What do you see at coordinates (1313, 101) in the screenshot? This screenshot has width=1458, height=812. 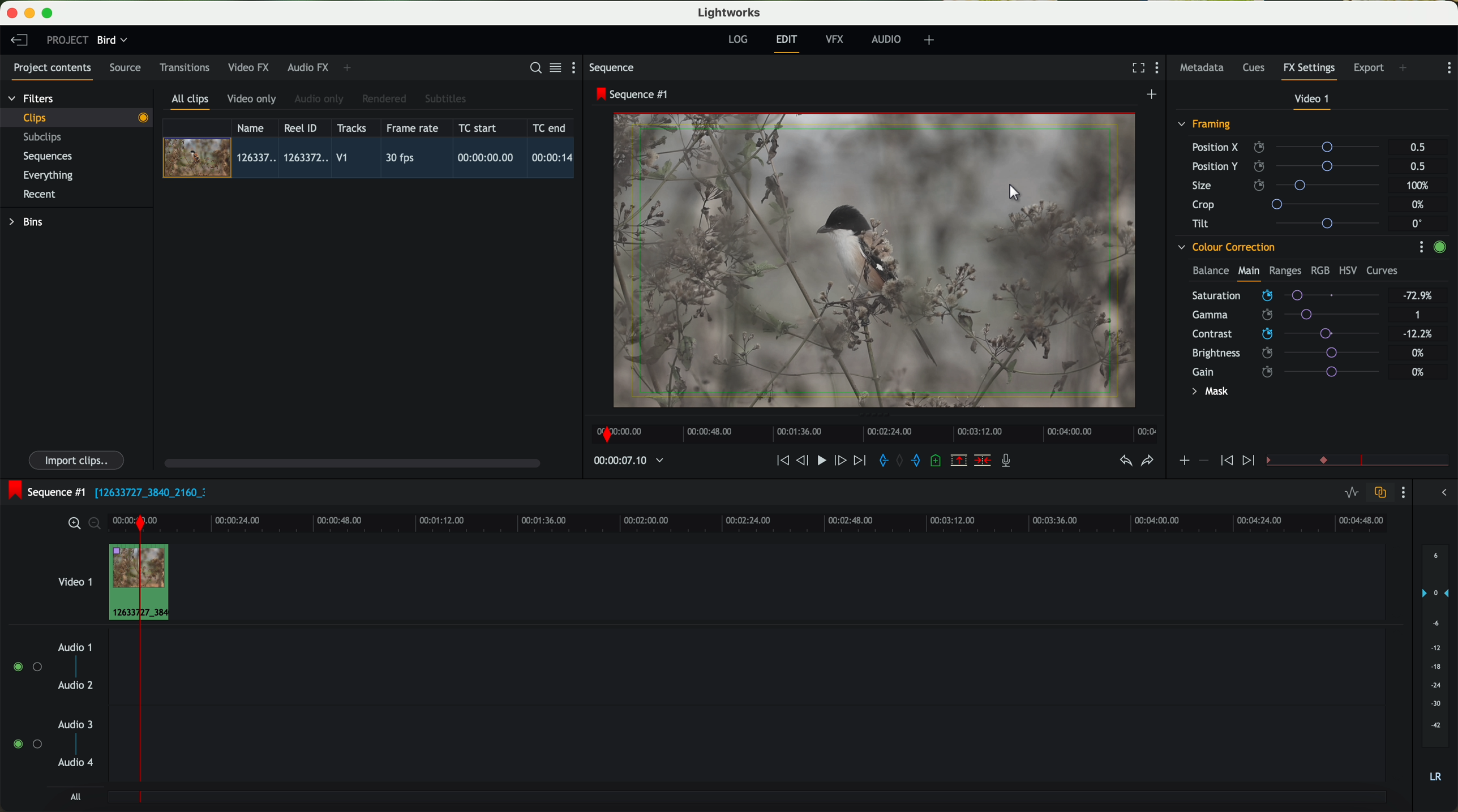 I see `video 1` at bounding box center [1313, 101].